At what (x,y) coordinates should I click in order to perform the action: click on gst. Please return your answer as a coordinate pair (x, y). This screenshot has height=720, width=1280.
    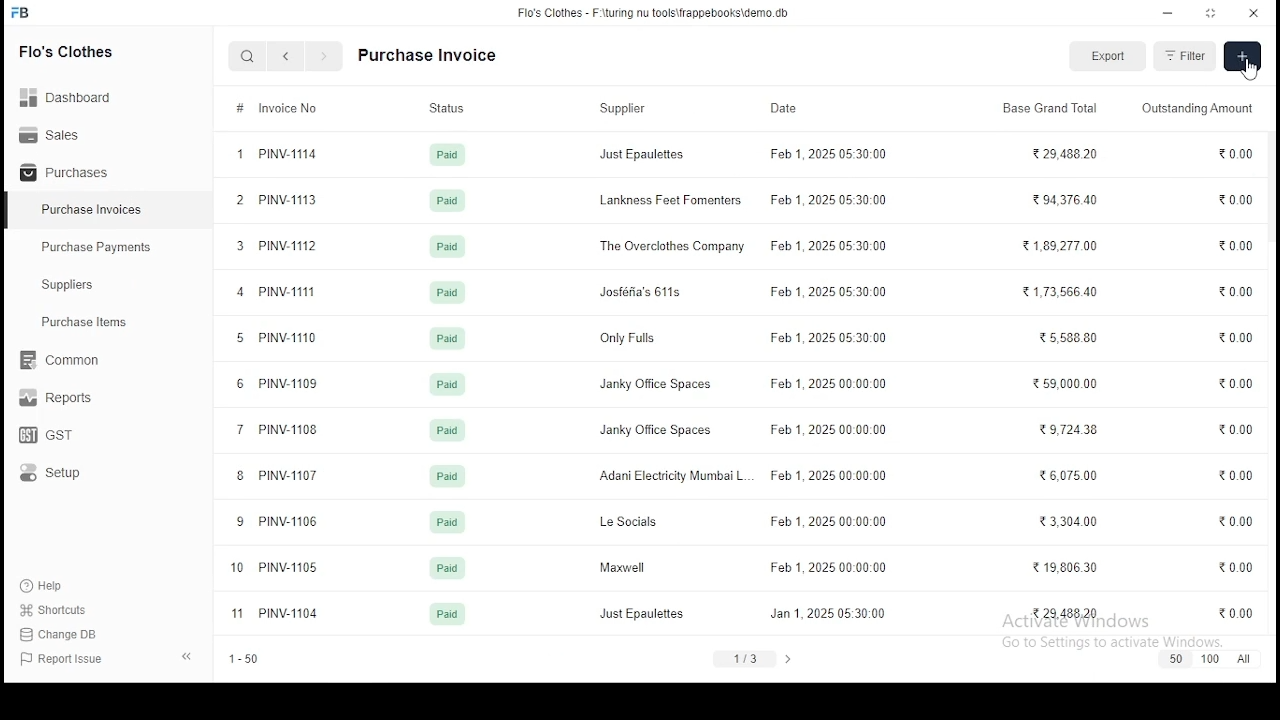
    Looking at the image, I should click on (46, 437).